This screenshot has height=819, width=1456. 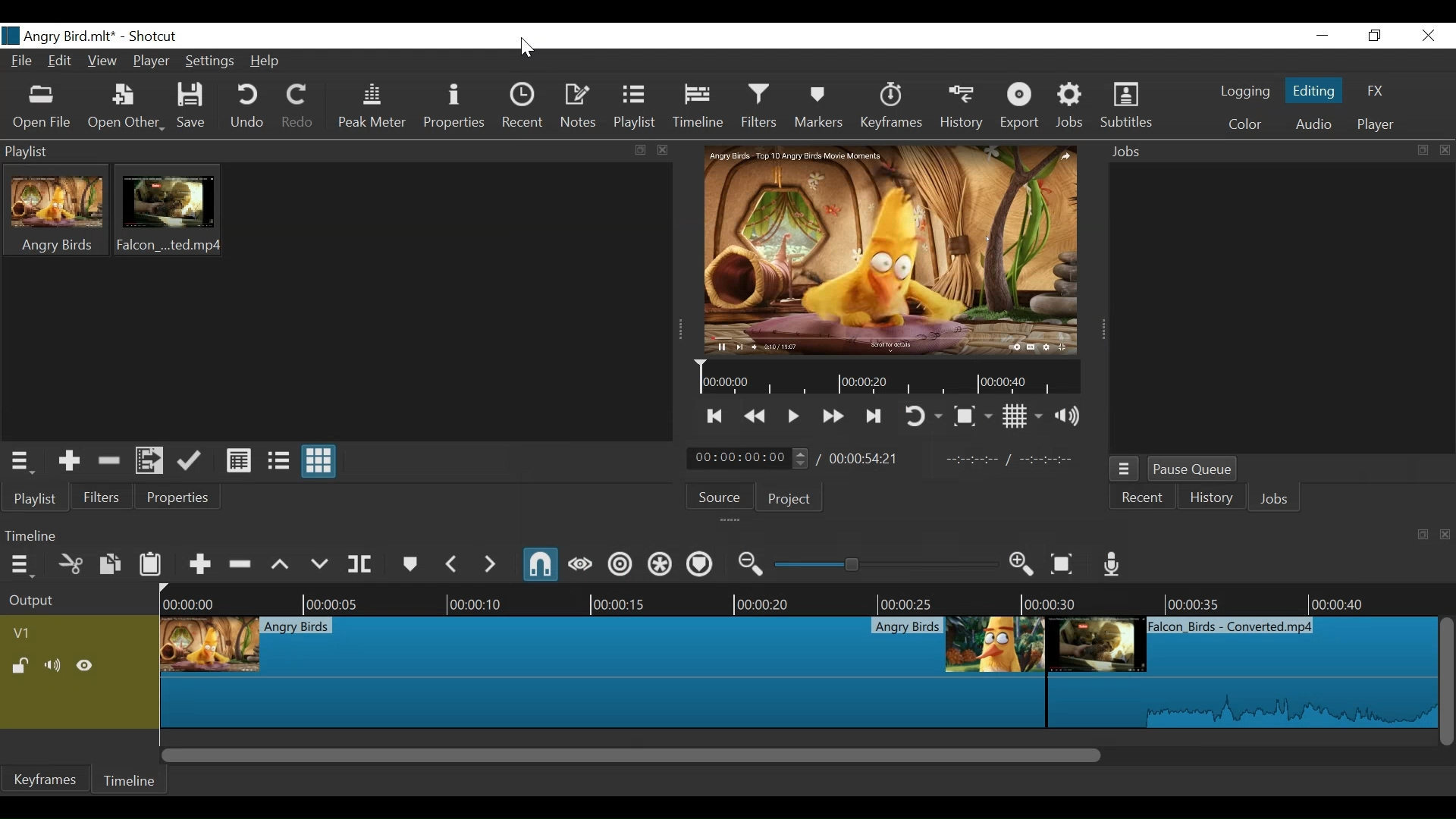 I want to click on Zoom Slider, so click(x=886, y=565).